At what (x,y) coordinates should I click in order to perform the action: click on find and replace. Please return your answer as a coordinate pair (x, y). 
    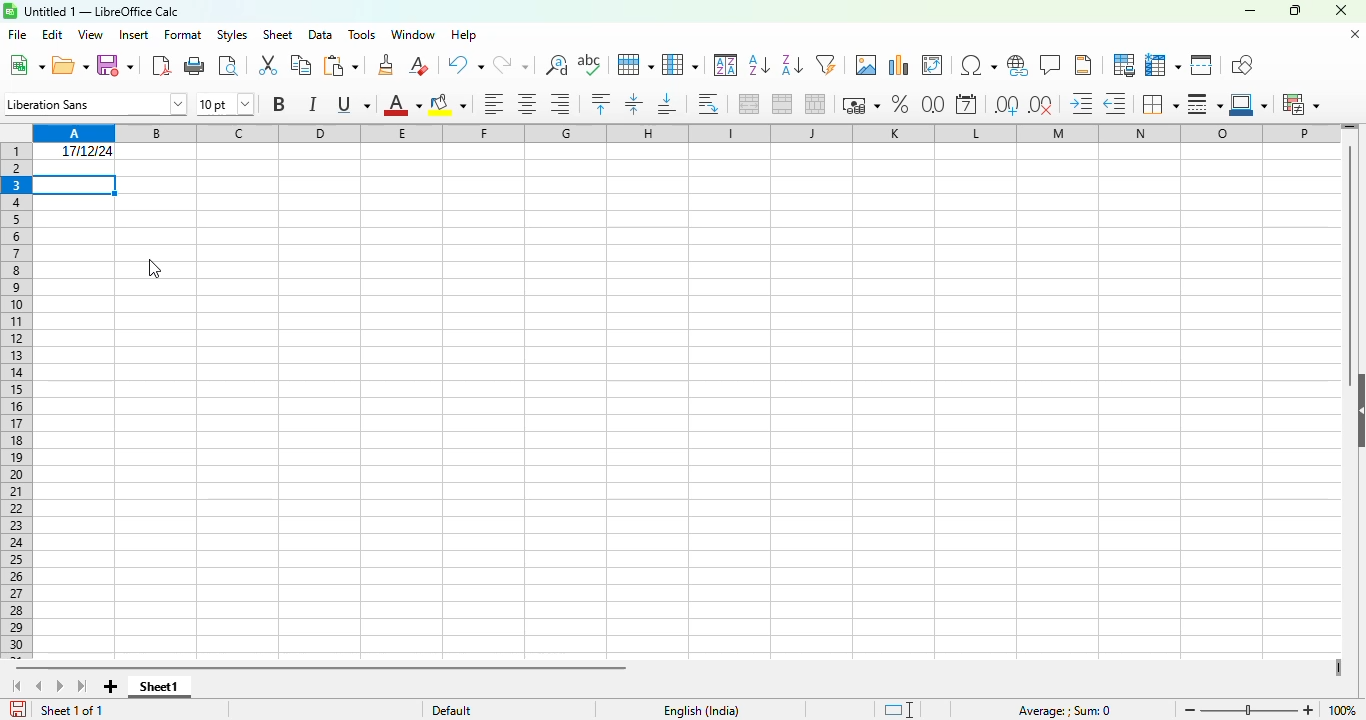
    Looking at the image, I should click on (557, 65).